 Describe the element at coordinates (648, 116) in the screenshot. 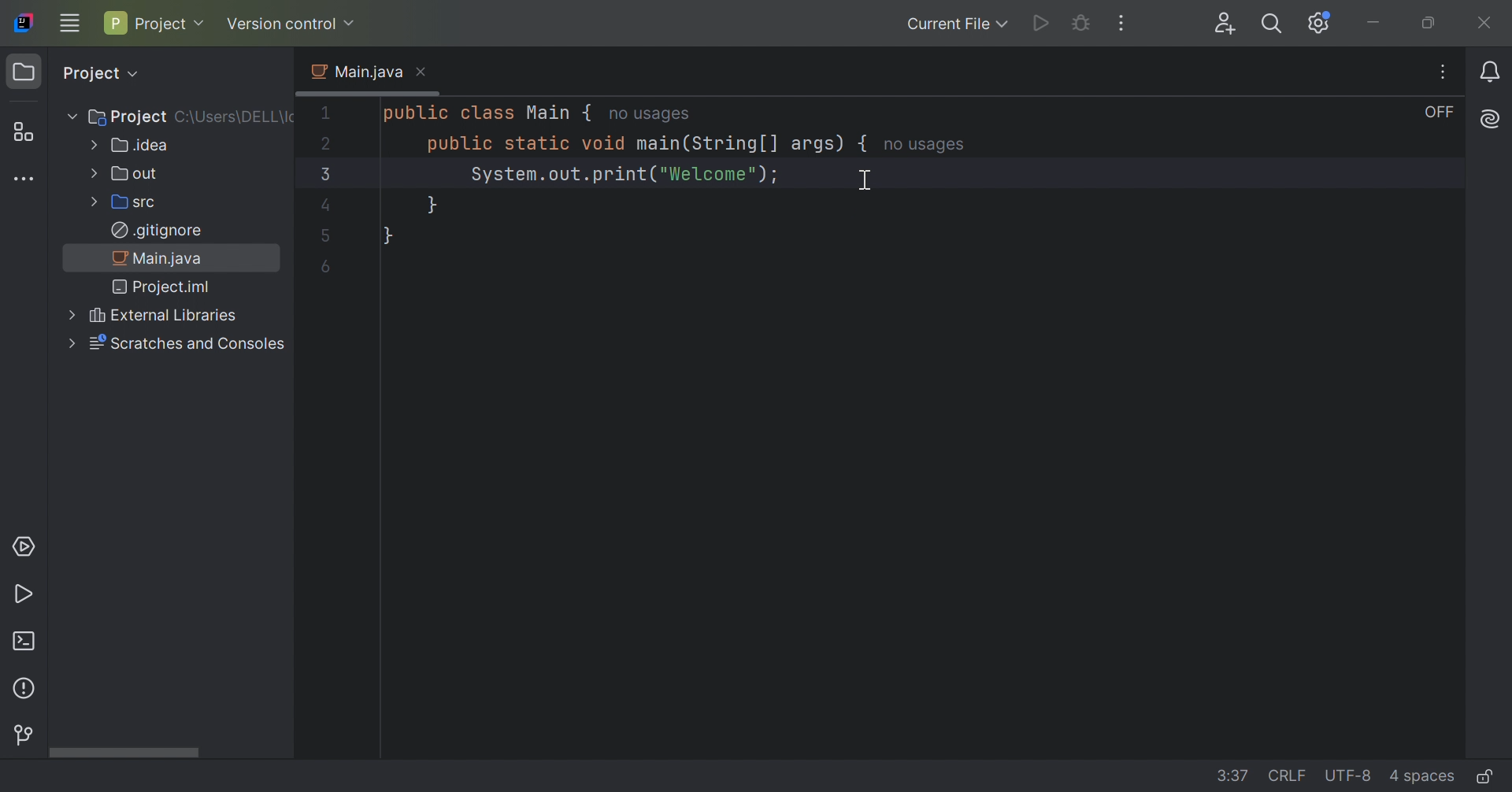

I see `no usages` at that location.